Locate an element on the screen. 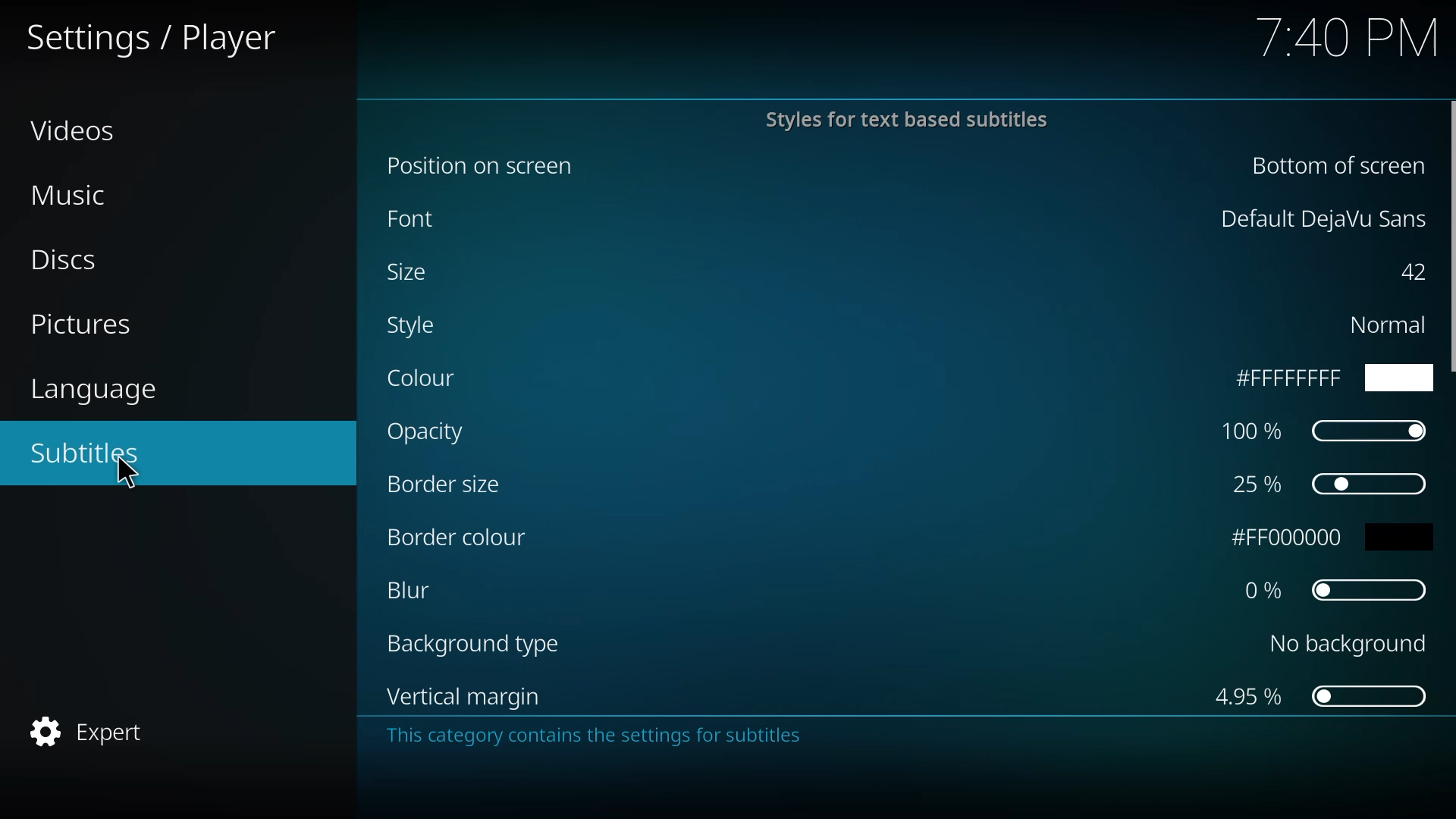 The image size is (1456, 819). border size is located at coordinates (447, 483).